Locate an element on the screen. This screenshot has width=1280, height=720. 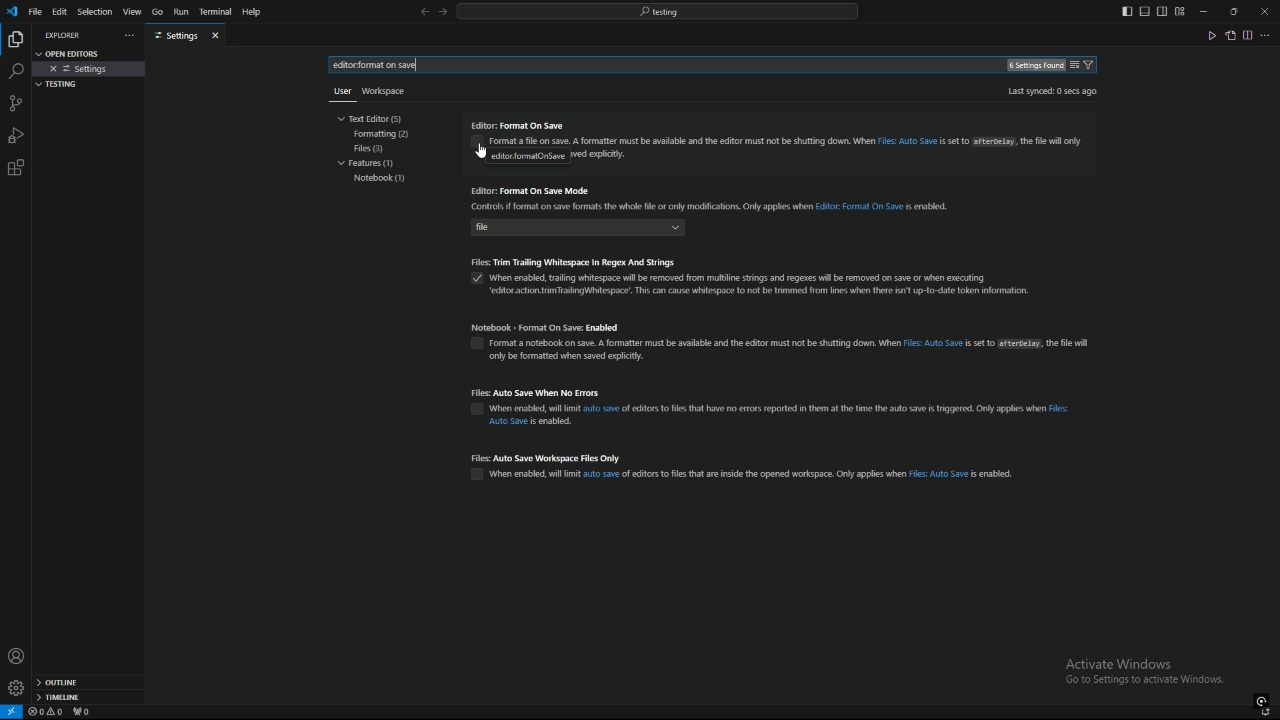
go is located at coordinates (157, 12).